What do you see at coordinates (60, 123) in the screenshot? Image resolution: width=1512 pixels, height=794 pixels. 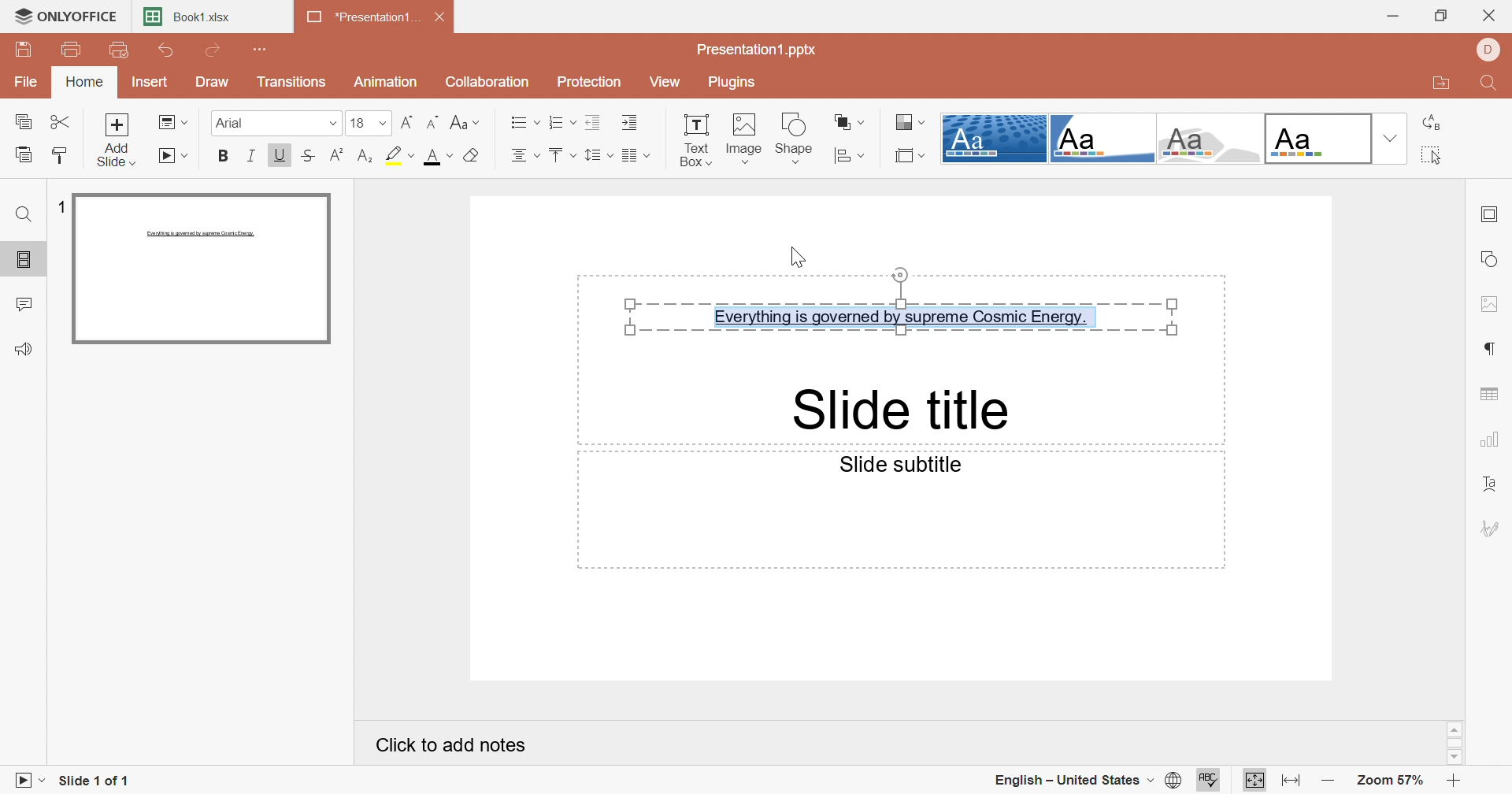 I see `Cut` at bounding box center [60, 123].